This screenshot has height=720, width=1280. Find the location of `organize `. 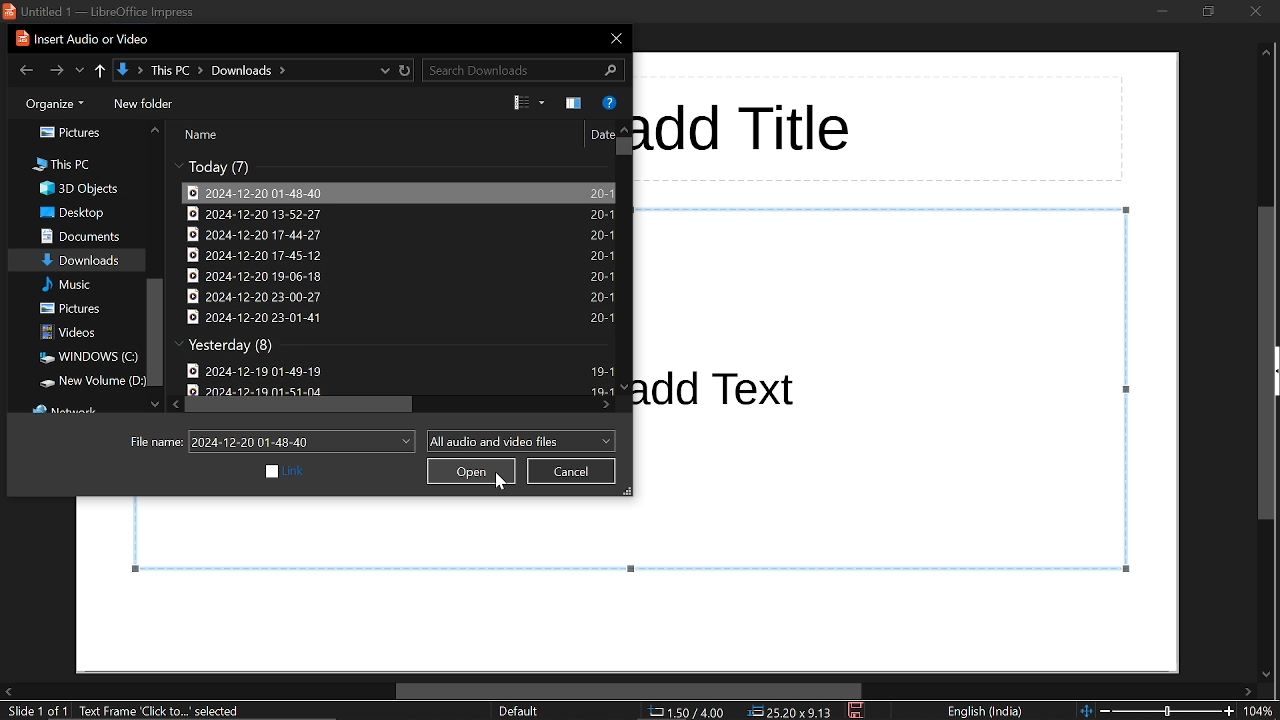

organize  is located at coordinates (55, 104).